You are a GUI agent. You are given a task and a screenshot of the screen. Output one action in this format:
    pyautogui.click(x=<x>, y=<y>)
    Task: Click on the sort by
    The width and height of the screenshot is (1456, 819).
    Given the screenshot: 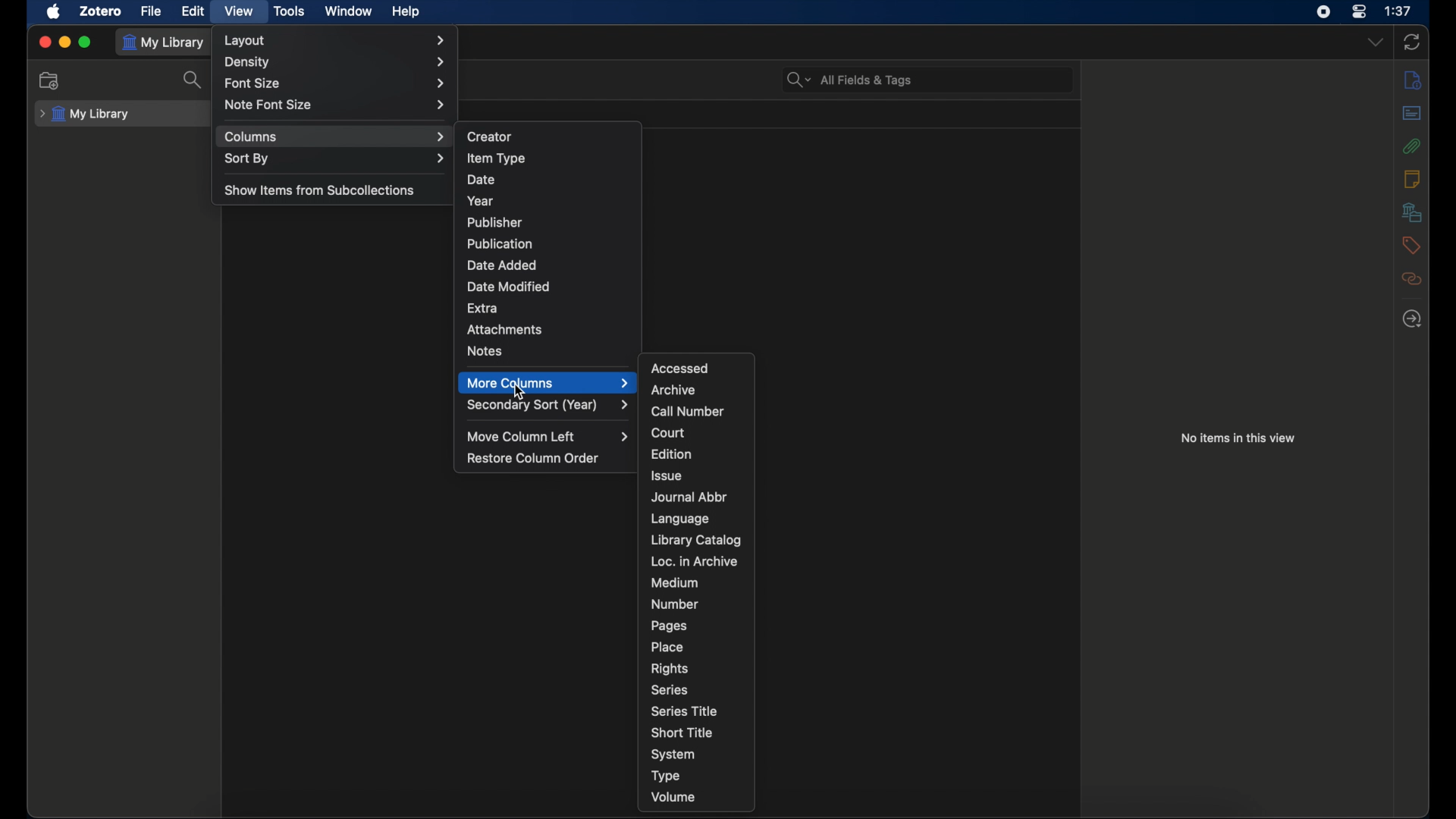 What is the action you would take?
    pyautogui.click(x=335, y=158)
    